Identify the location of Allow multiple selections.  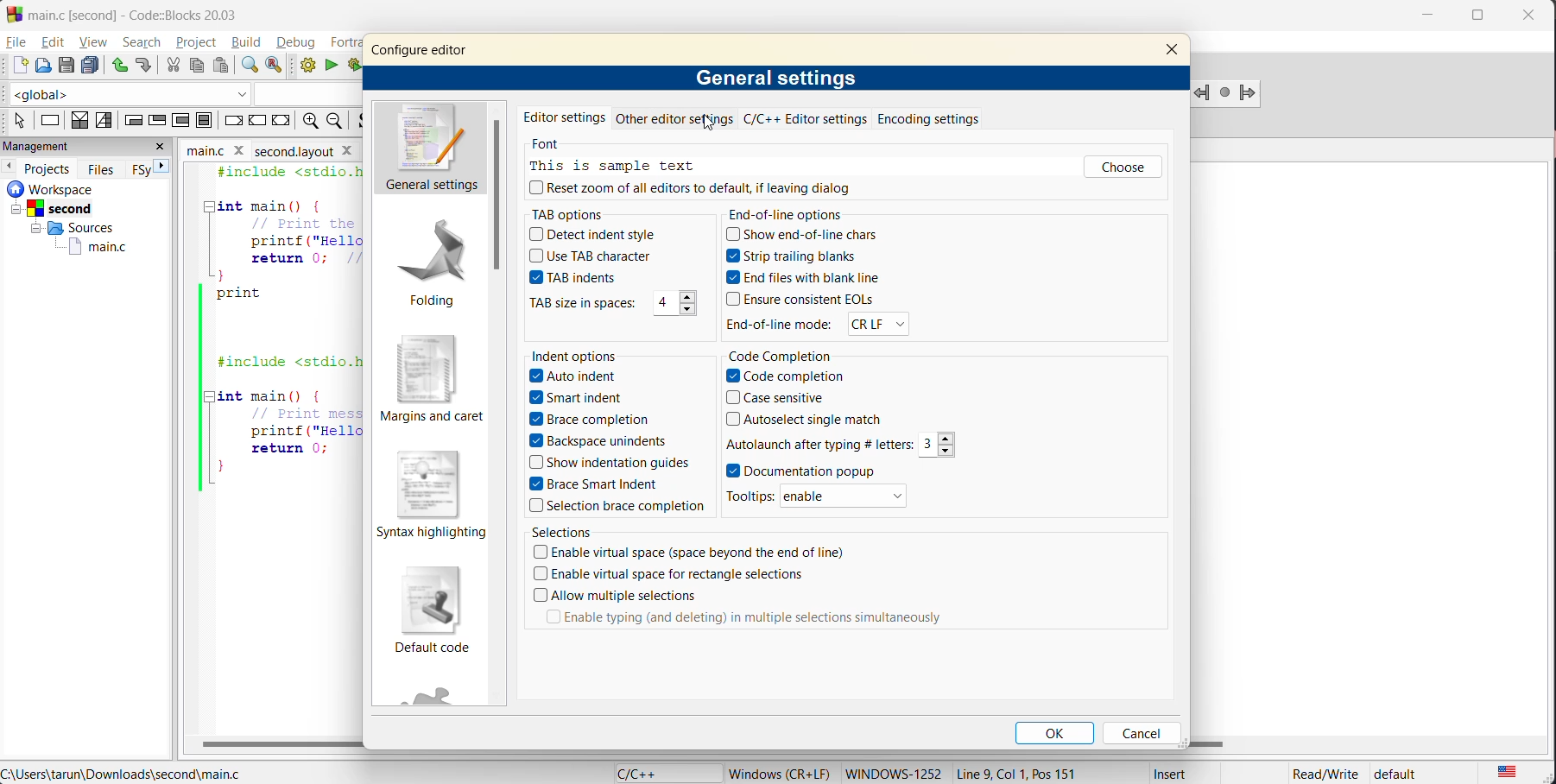
(617, 595).